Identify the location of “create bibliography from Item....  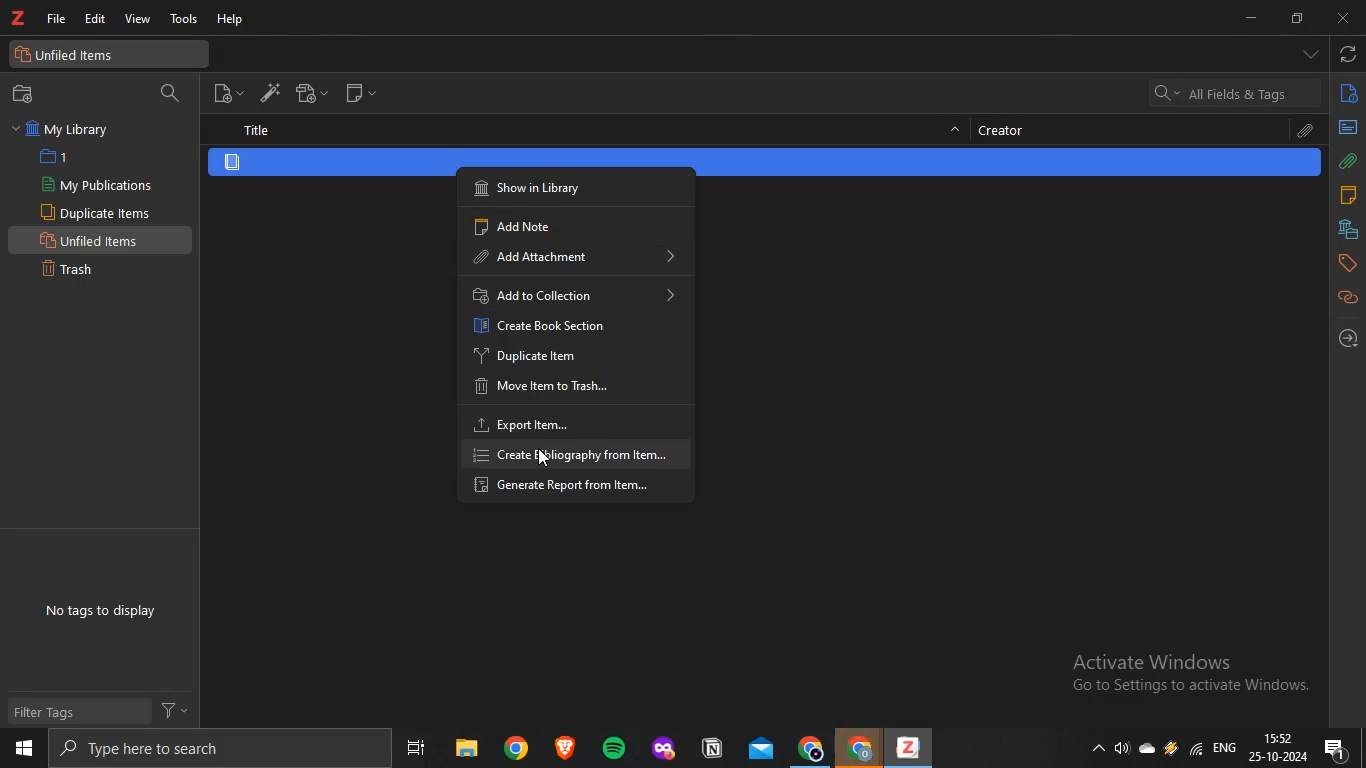
(569, 454).